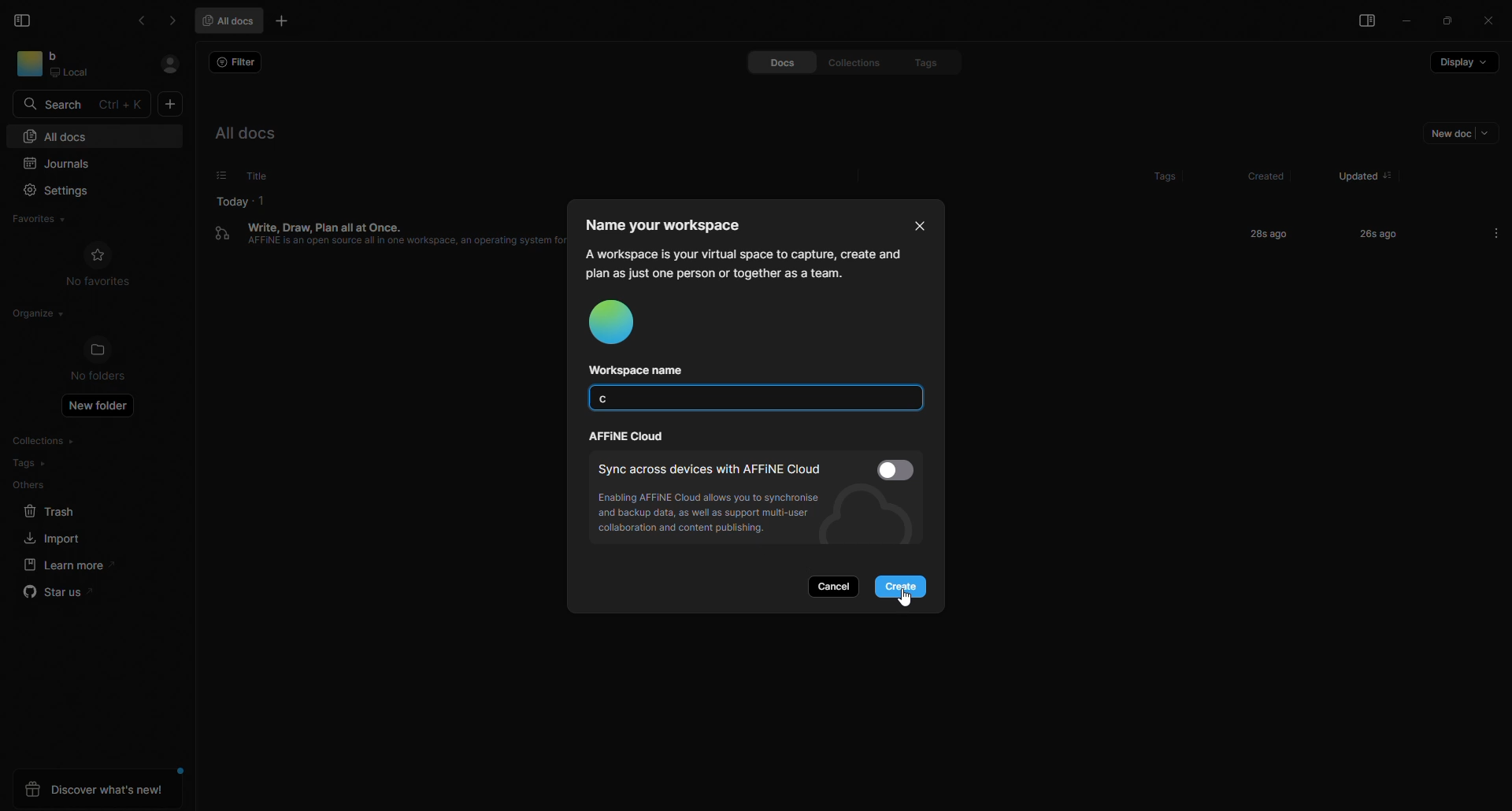 The height and width of the screenshot is (811, 1512). What do you see at coordinates (1453, 136) in the screenshot?
I see `new doc` at bounding box center [1453, 136].